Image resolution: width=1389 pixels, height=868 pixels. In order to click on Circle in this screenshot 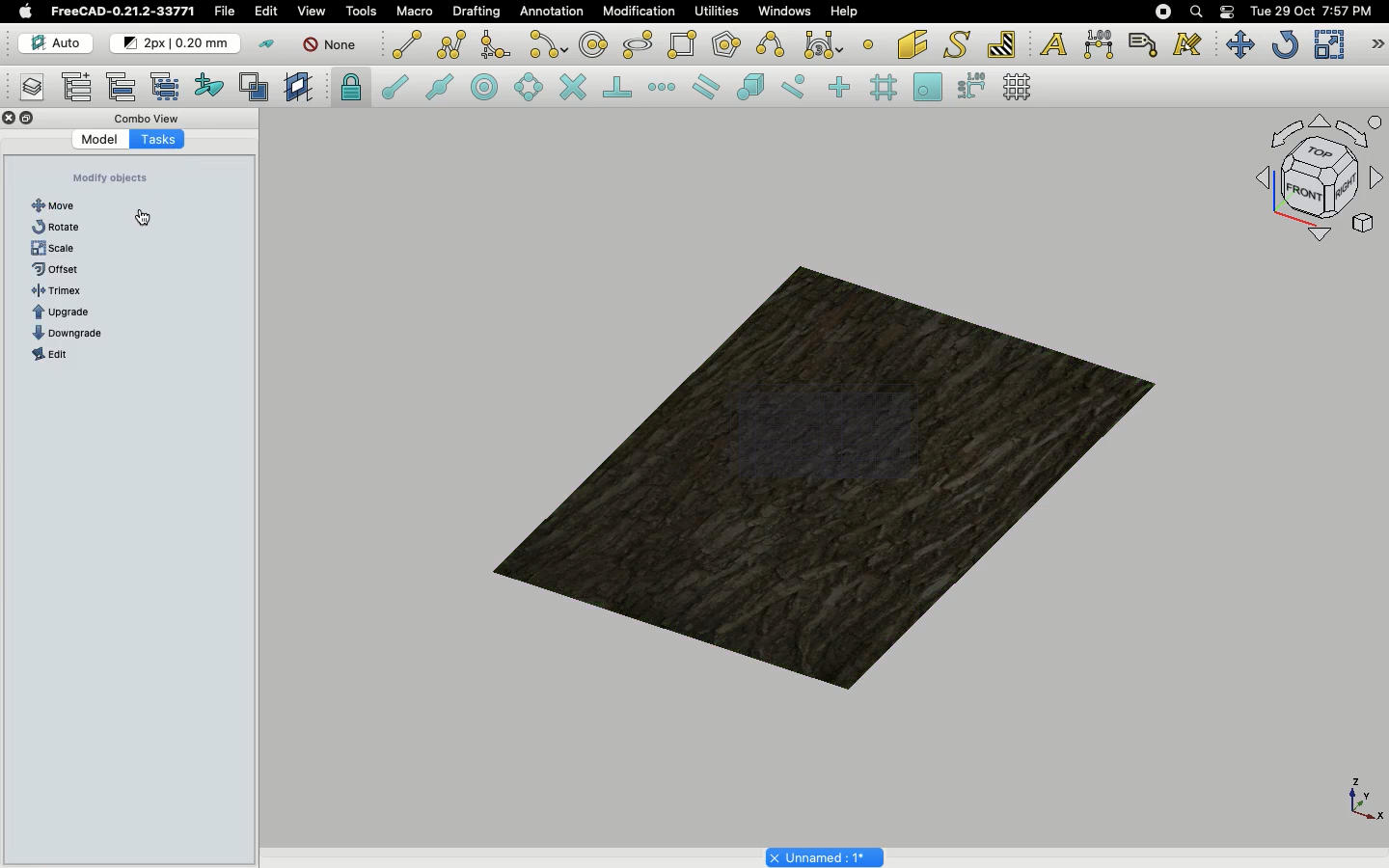, I will do `click(594, 47)`.